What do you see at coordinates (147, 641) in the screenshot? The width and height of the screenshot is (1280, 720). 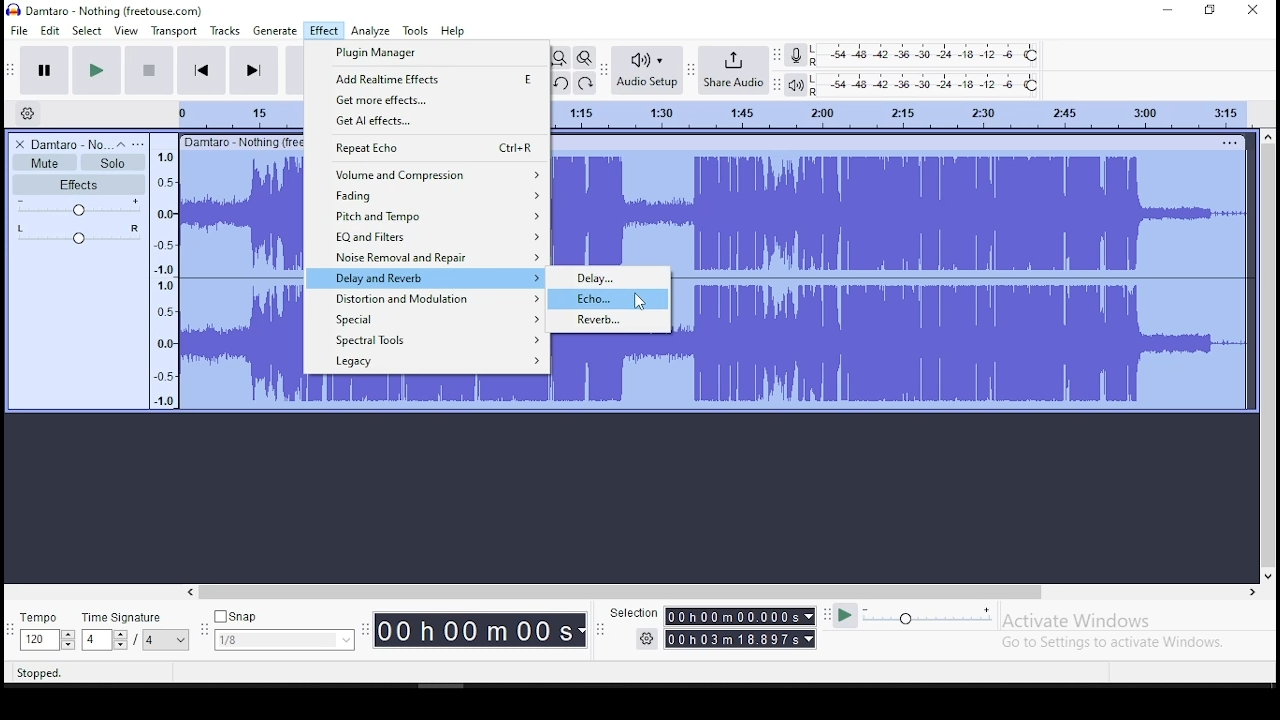 I see `/4` at bounding box center [147, 641].